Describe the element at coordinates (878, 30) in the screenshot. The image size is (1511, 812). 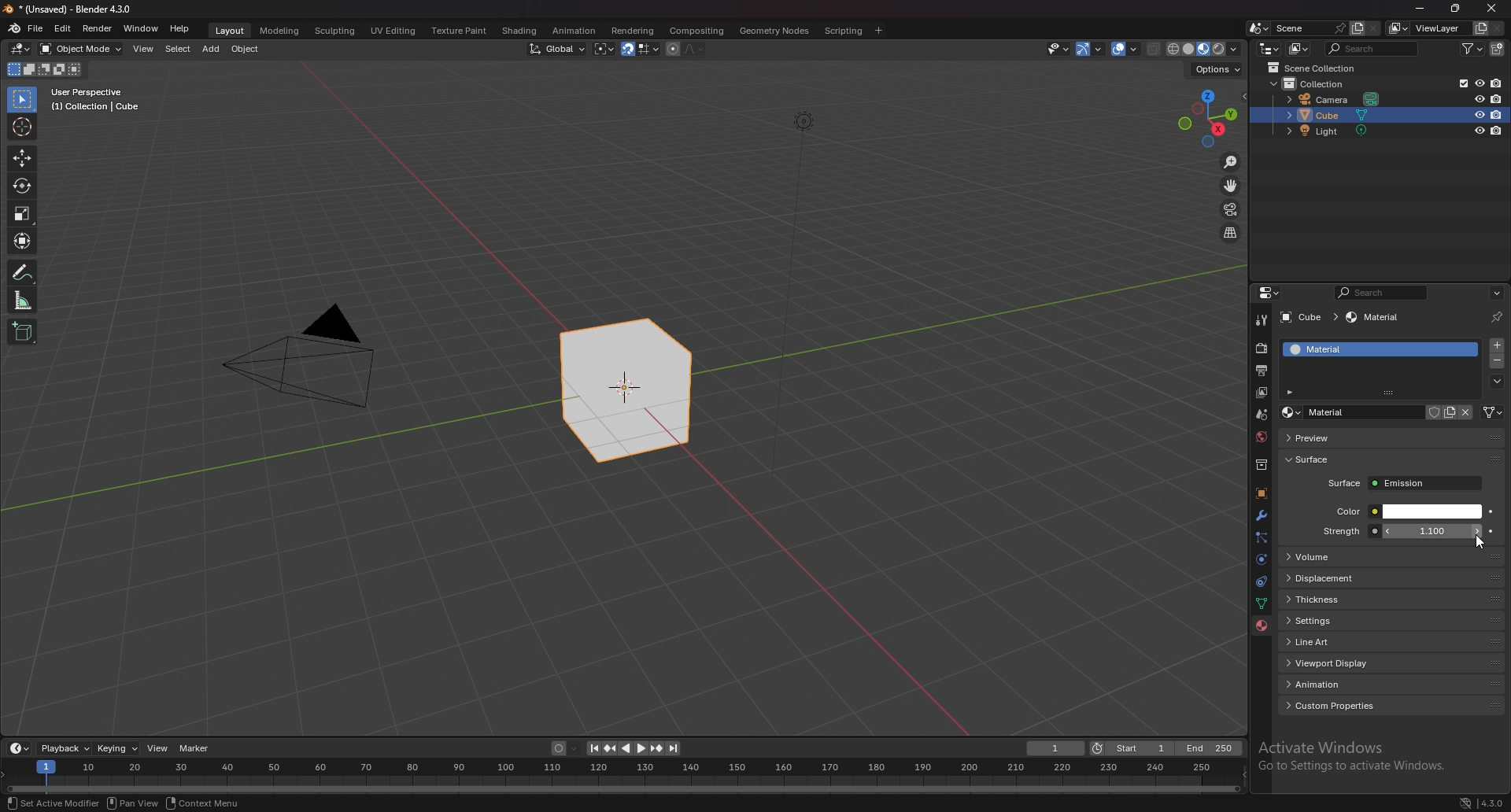
I see `add workspace` at that location.